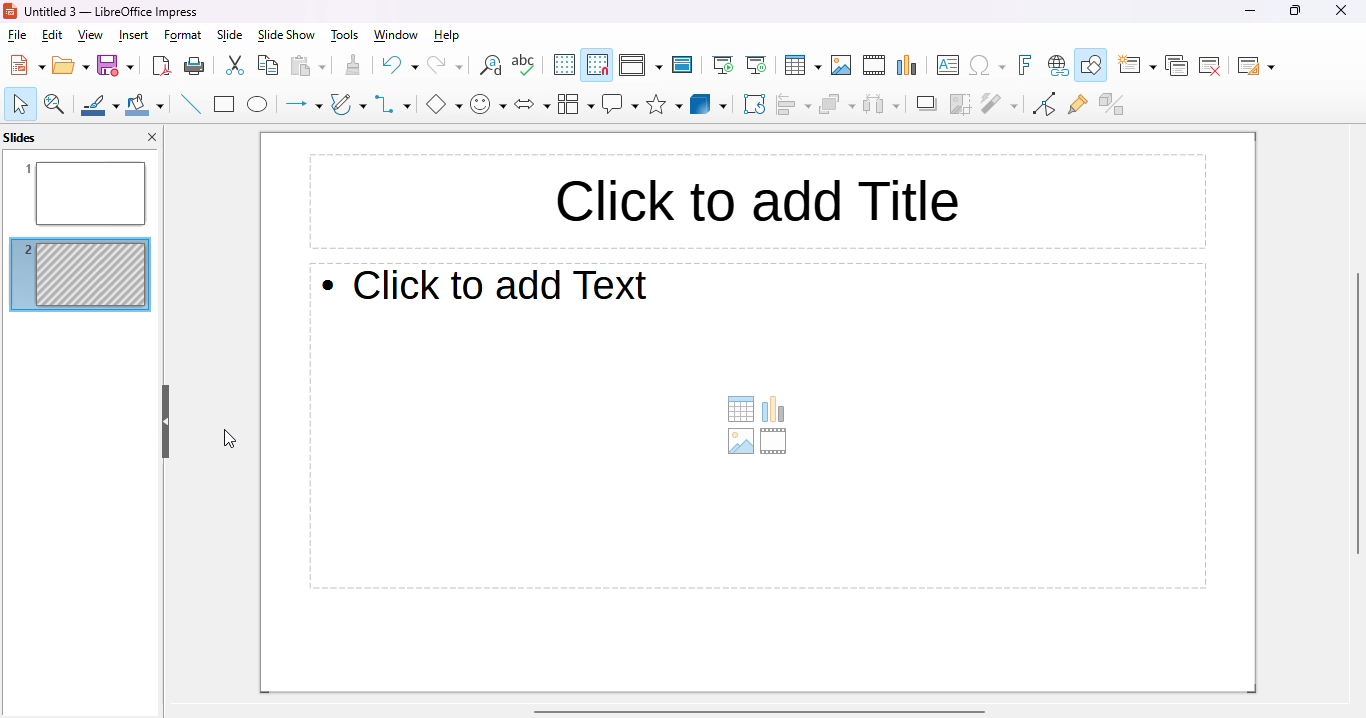 This screenshot has height=718, width=1366. Describe the element at coordinates (640, 65) in the screenshot. I see `display view` at that location.